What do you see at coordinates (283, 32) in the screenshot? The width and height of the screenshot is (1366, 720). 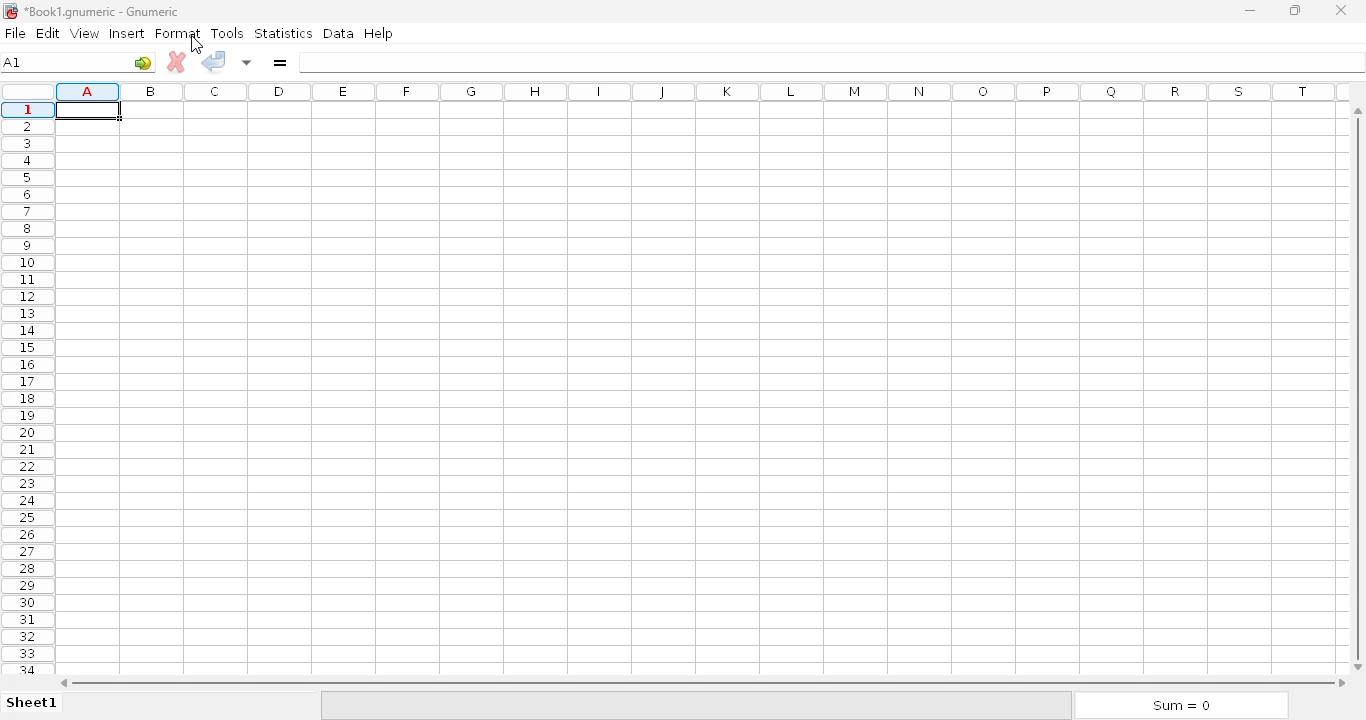 I see `statistics` at bounding box center [283, 32].